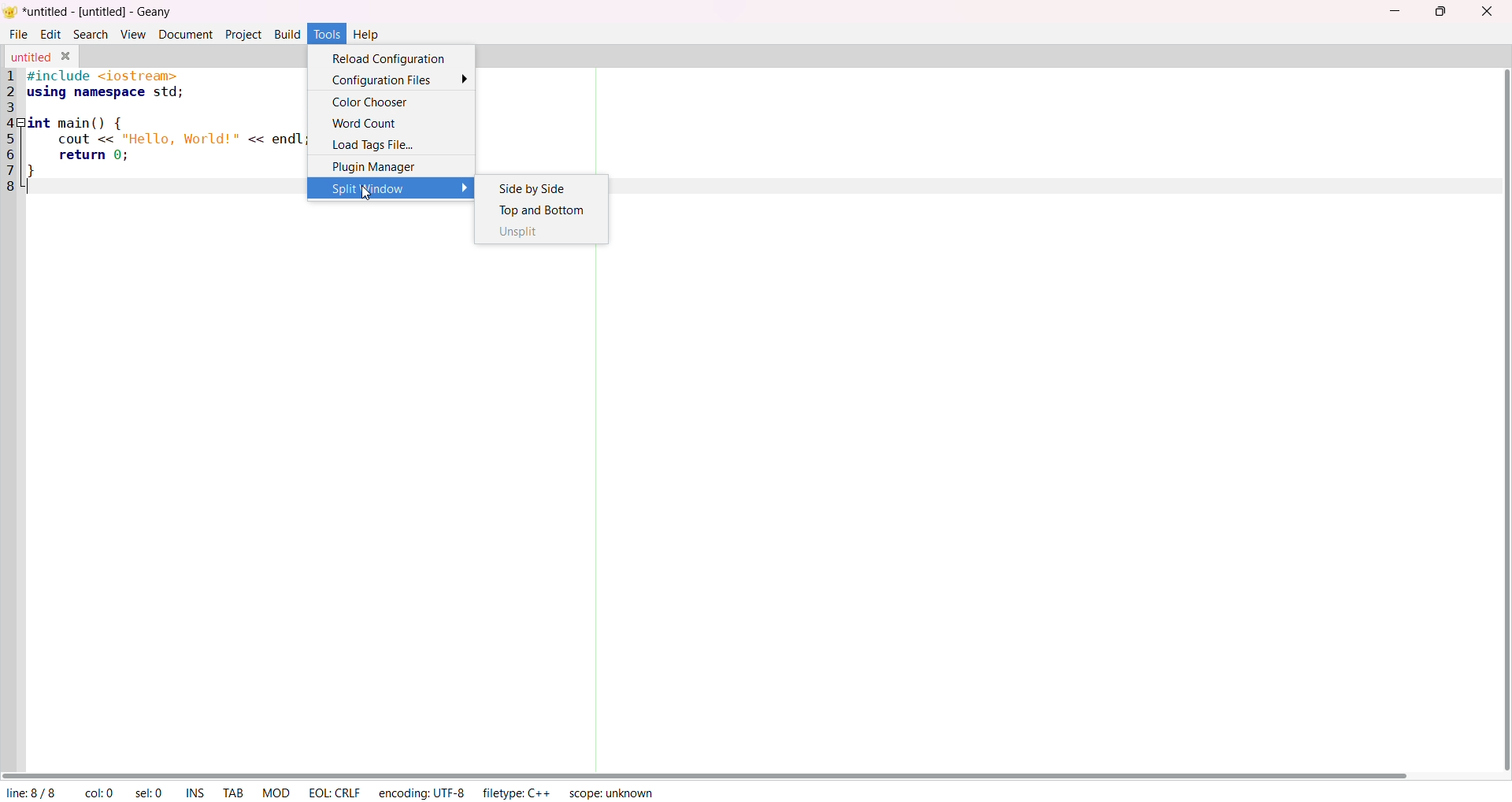  What do you see at coordinates (610, 792) in the screenshot?
I see `scope: unknown` at bounding box center [610, 792].